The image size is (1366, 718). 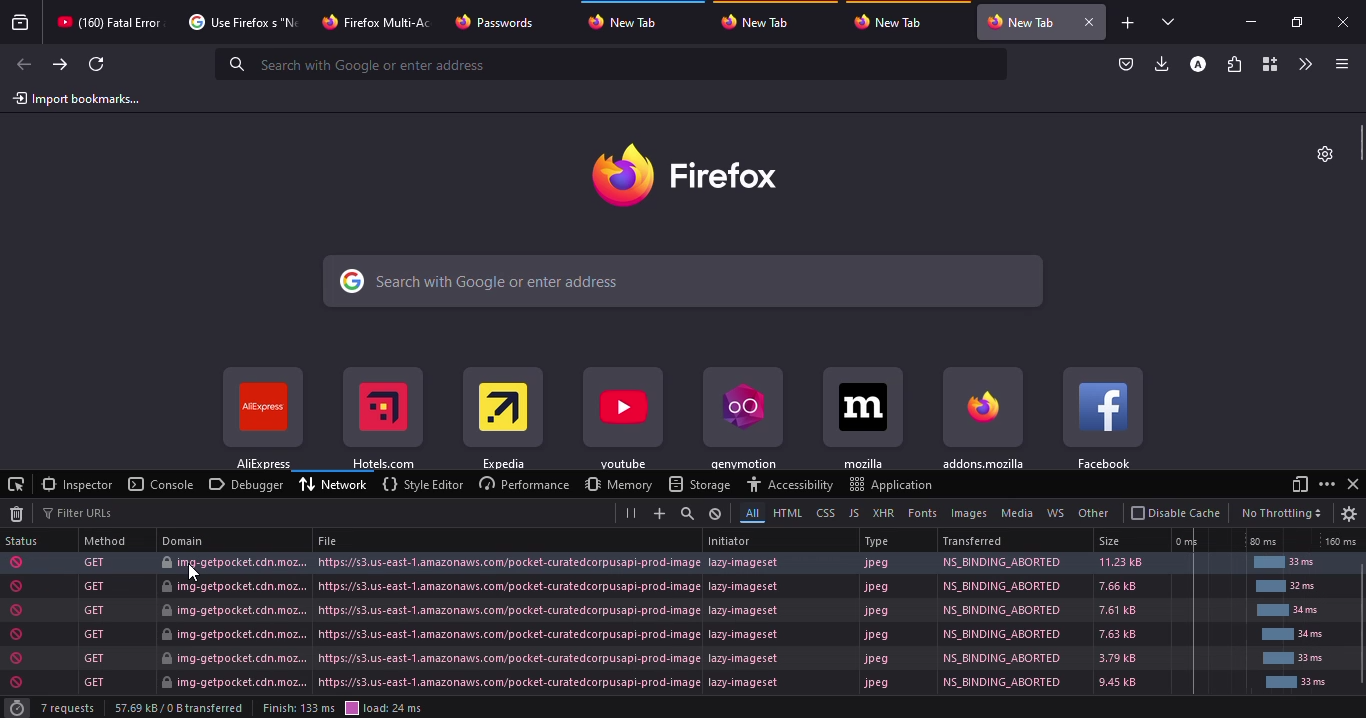 I want to click on tab, so click(x=375, y=22).